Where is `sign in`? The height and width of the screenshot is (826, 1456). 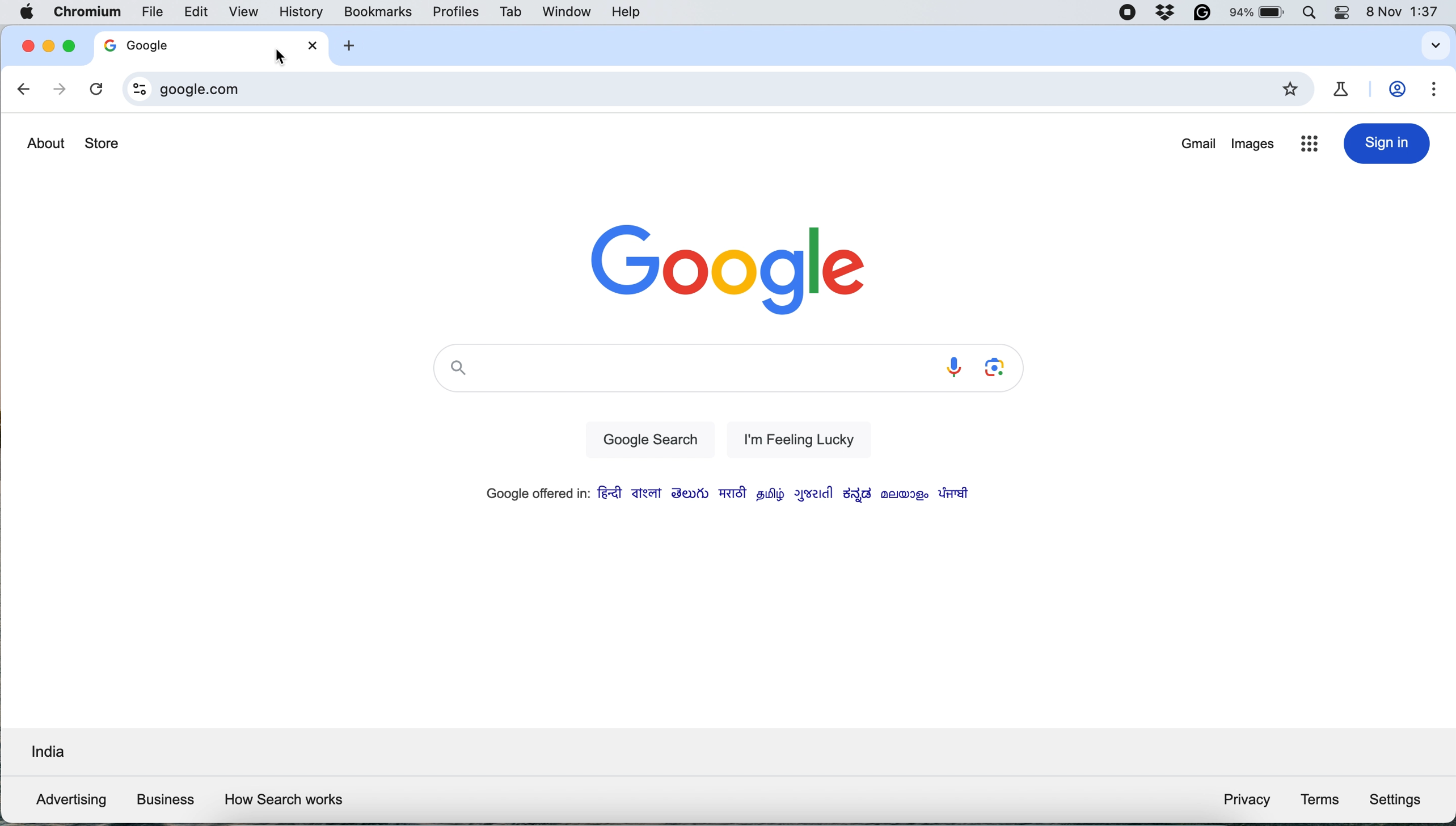 sign in is located at coordinates (1387, 144).